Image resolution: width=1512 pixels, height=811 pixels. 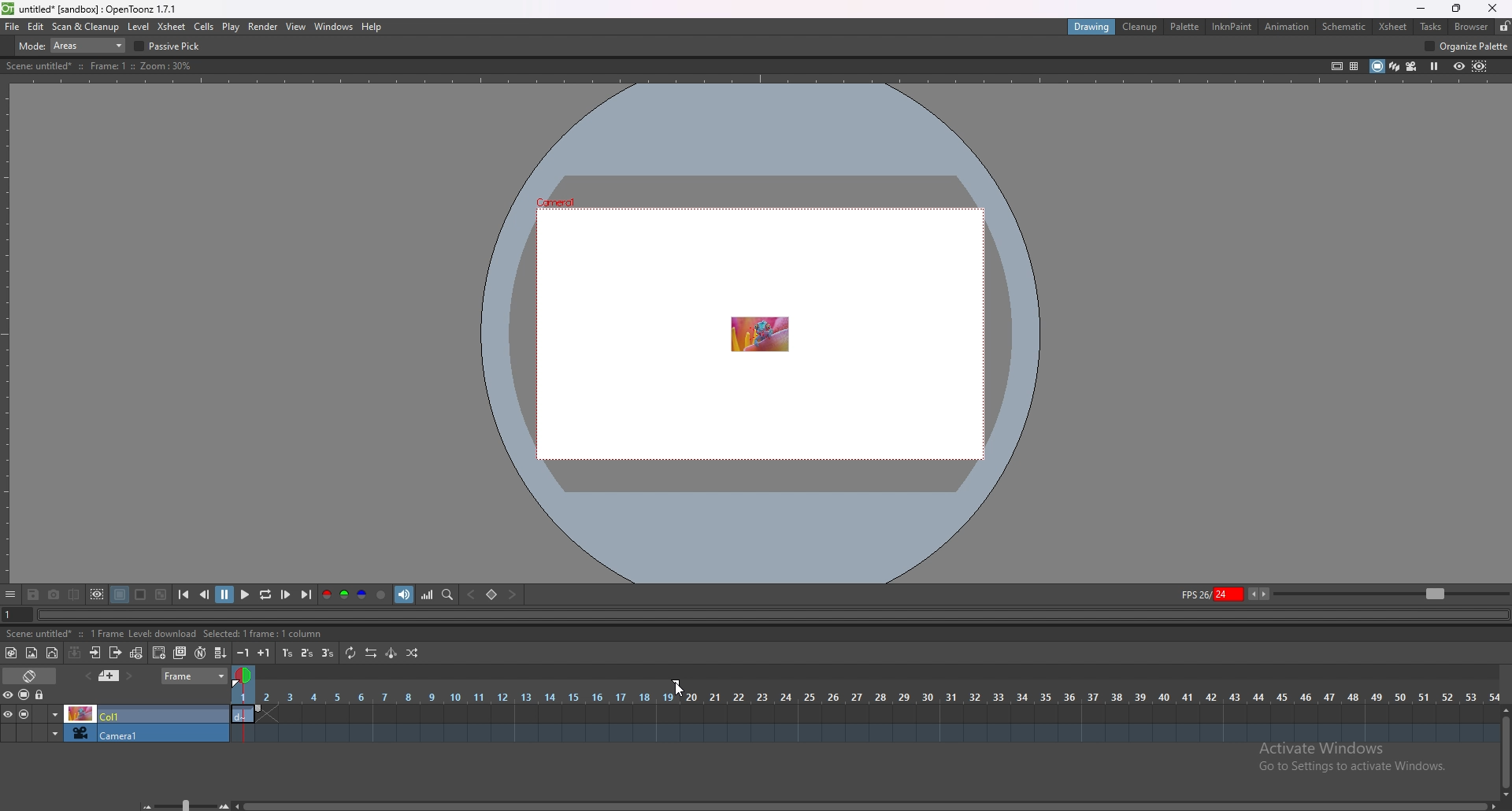 I want to click on next frame, so click(x=287, y=594).